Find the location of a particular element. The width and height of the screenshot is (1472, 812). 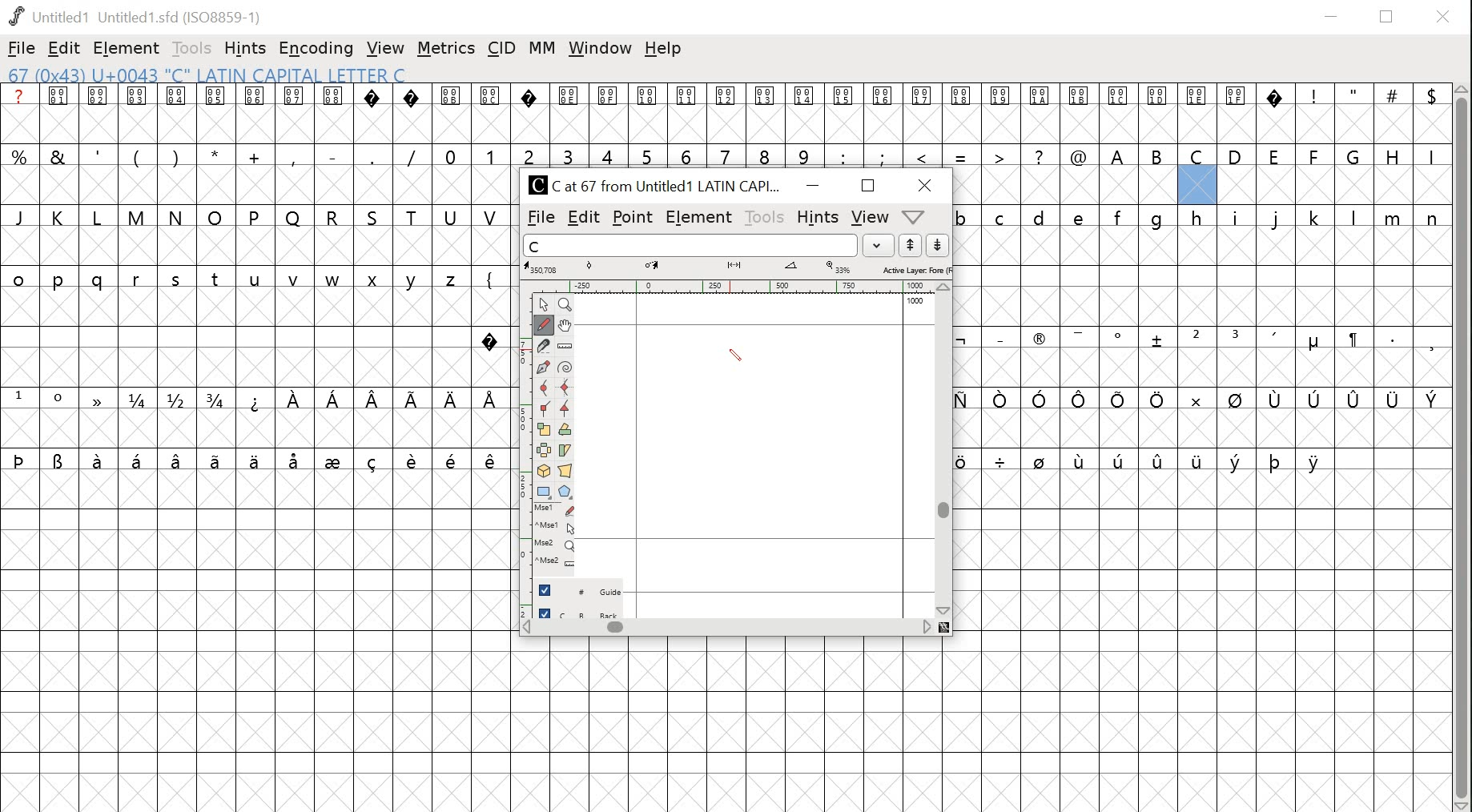

edit is located at coordinates (584, 218).